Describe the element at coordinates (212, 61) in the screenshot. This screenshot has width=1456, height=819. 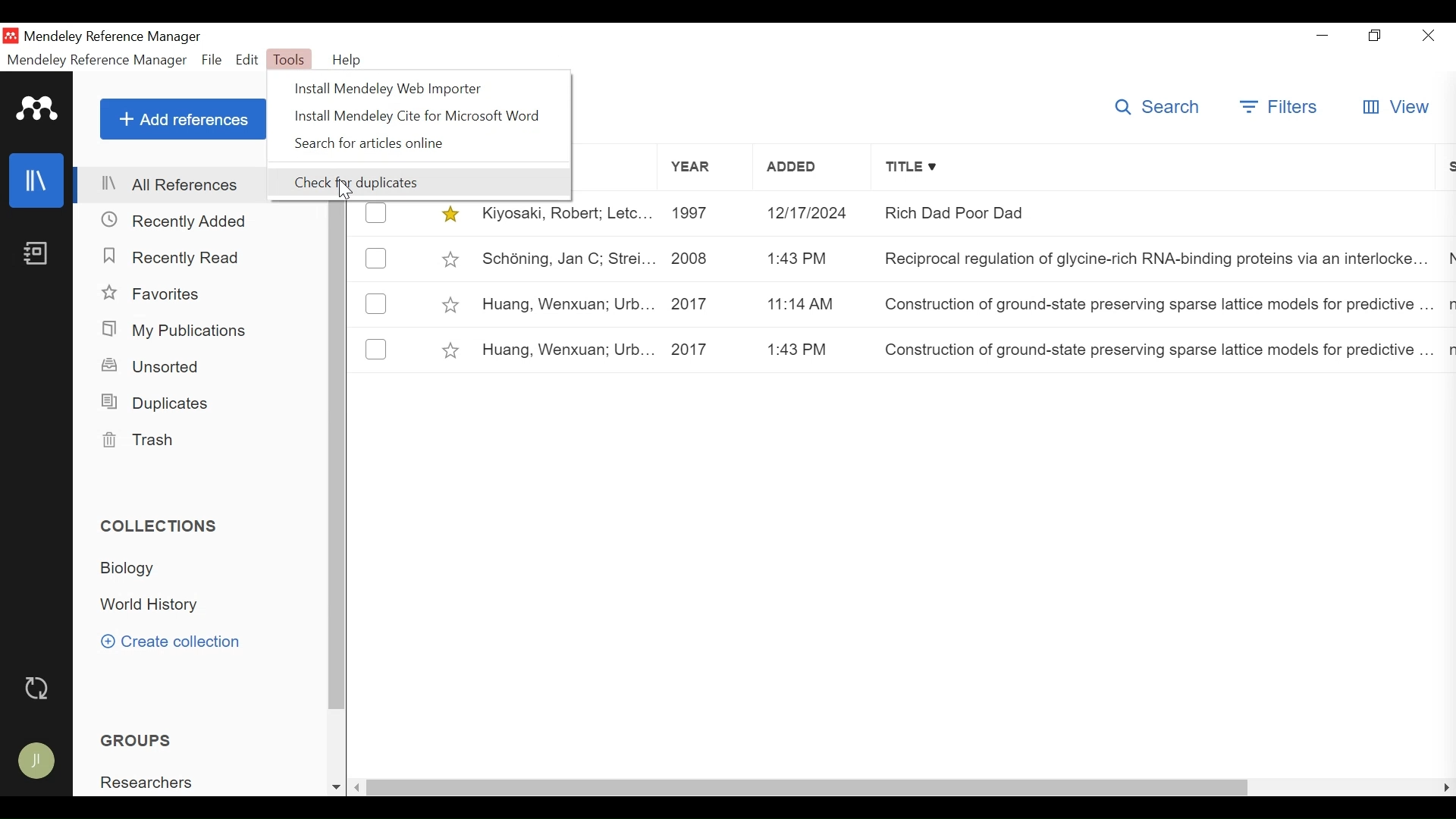
I see `File` at that location.